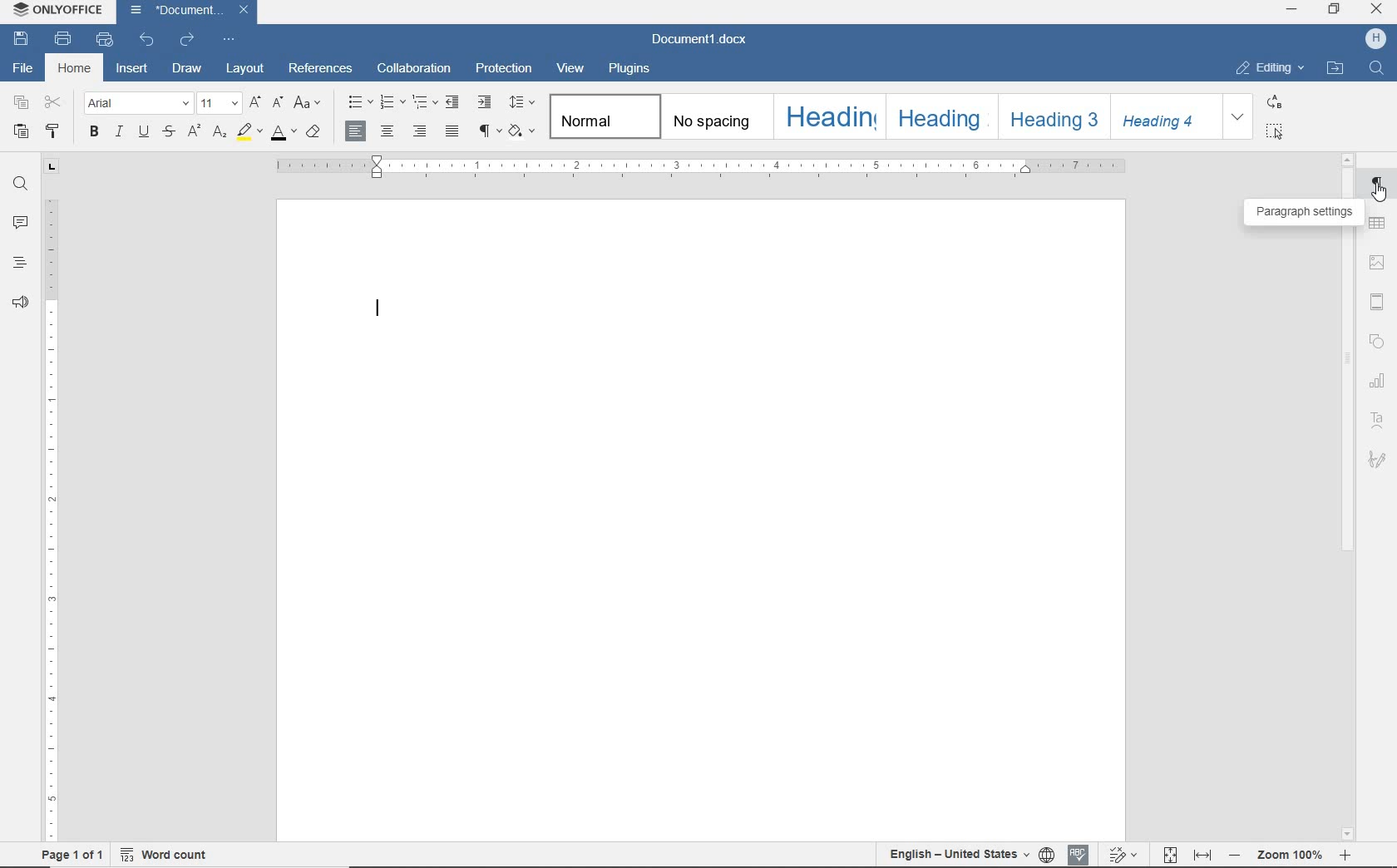  Describe the element at coordinates (133, 69) in the screenshot. I see `insert` at that location.